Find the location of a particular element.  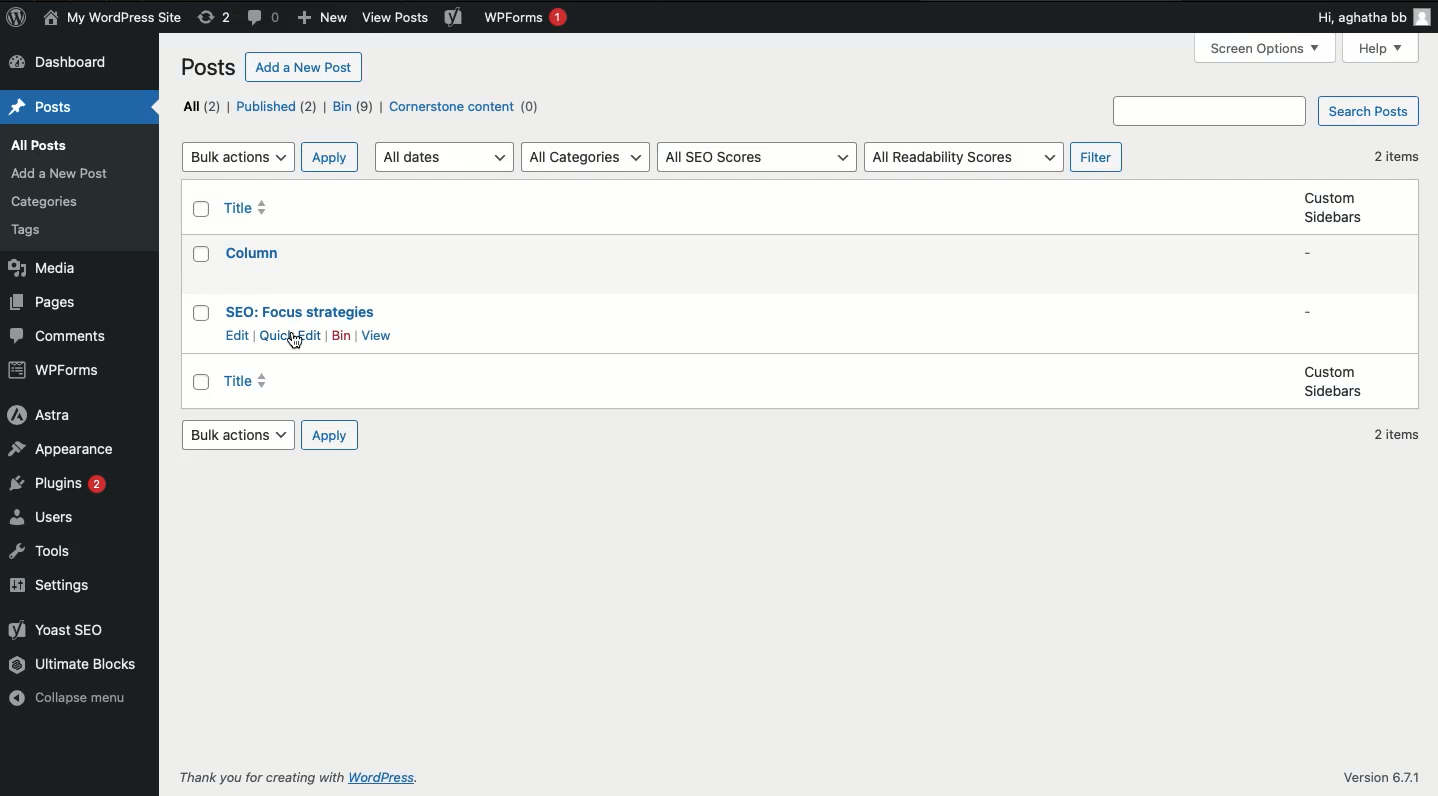

Appearance is located at coordinates (61, 450).